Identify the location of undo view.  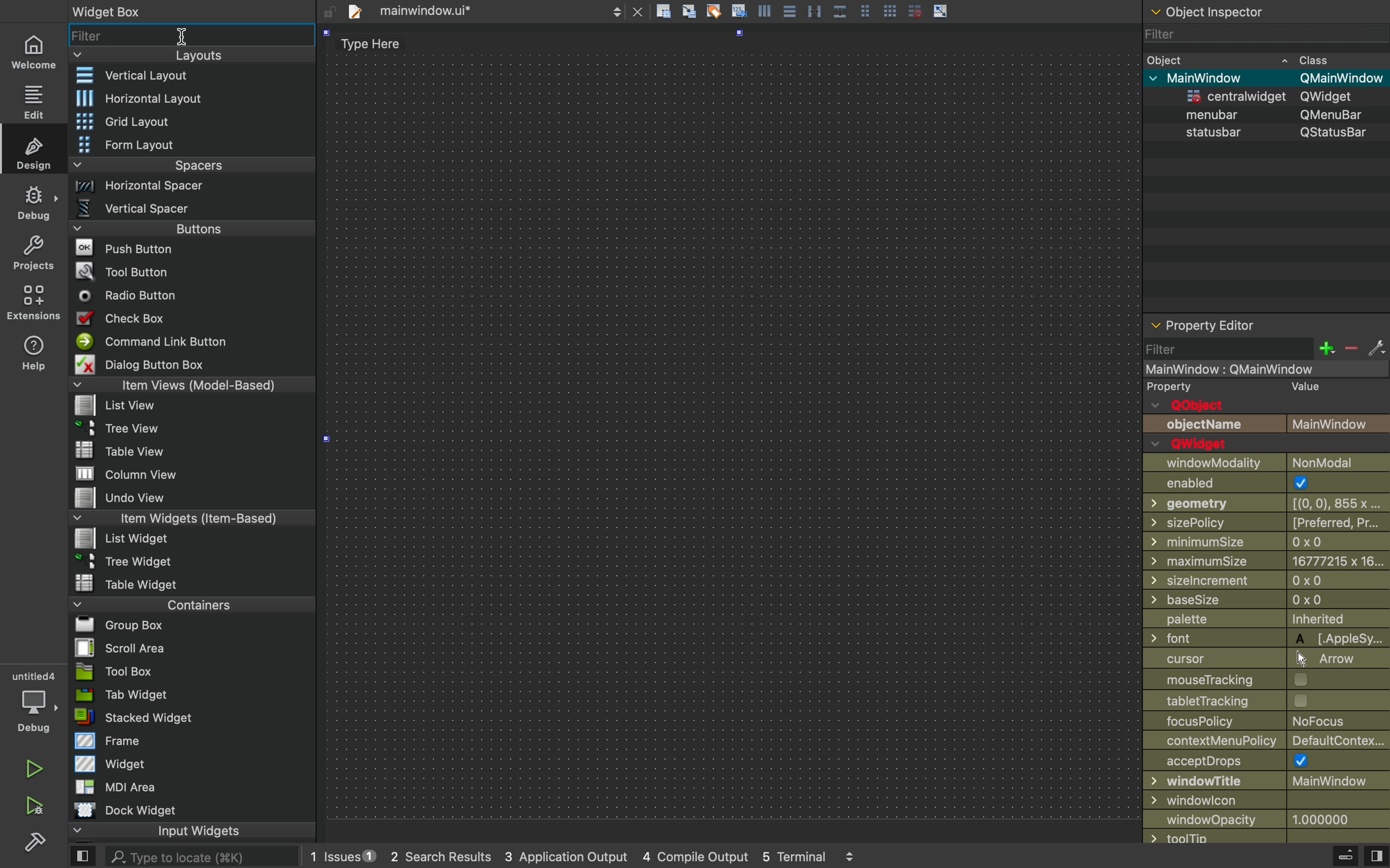
(192, 496).